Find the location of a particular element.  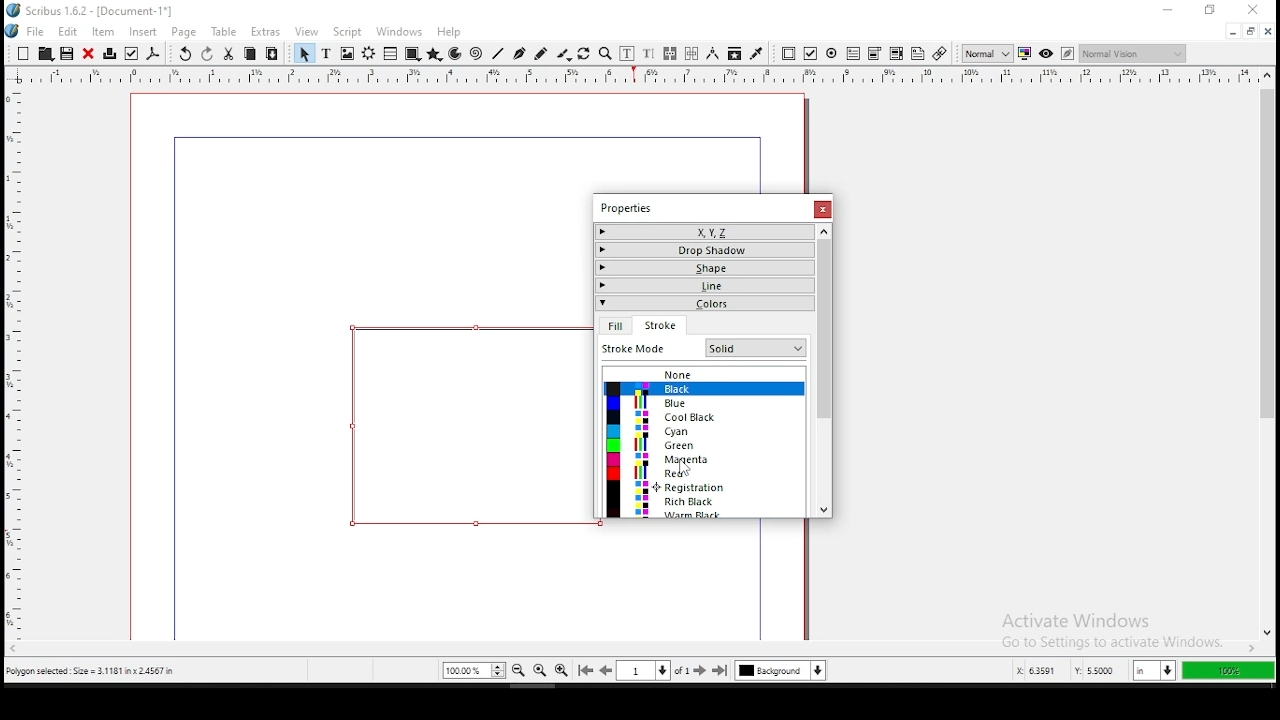

edit in preview mode is located at coordinates (1067, 53).